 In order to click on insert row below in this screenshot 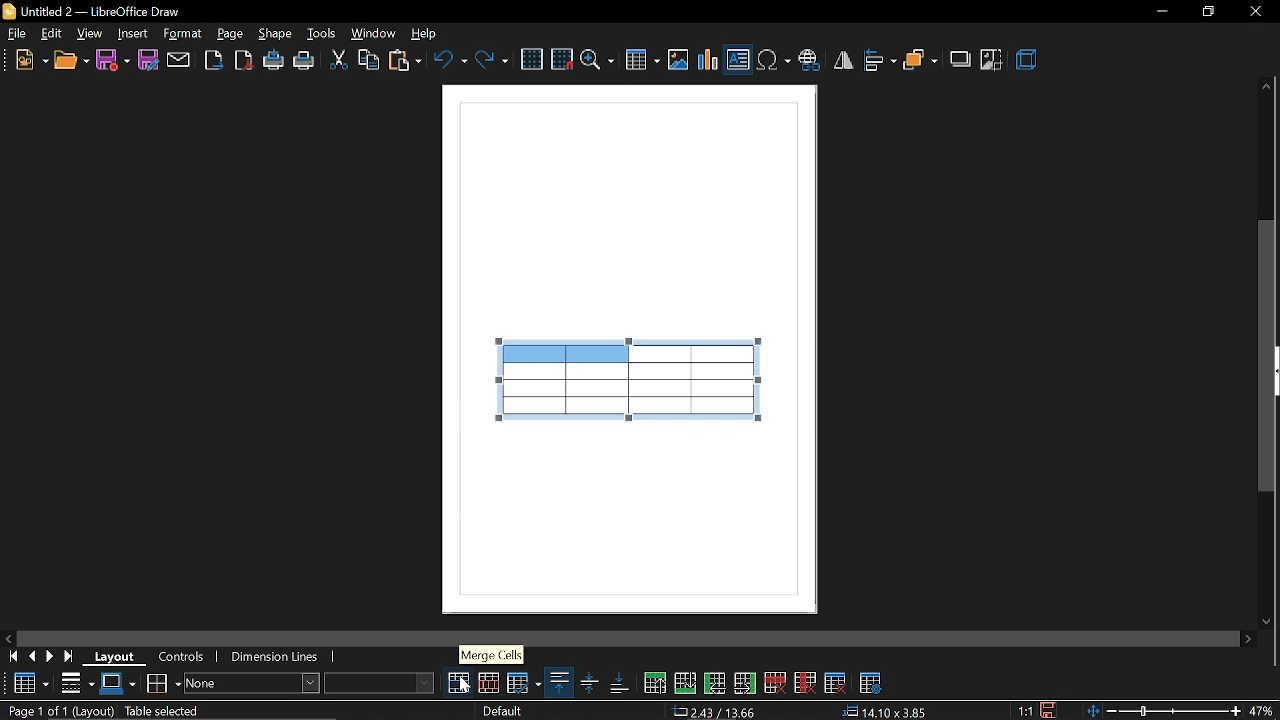, I will do `click(686, 682)`.